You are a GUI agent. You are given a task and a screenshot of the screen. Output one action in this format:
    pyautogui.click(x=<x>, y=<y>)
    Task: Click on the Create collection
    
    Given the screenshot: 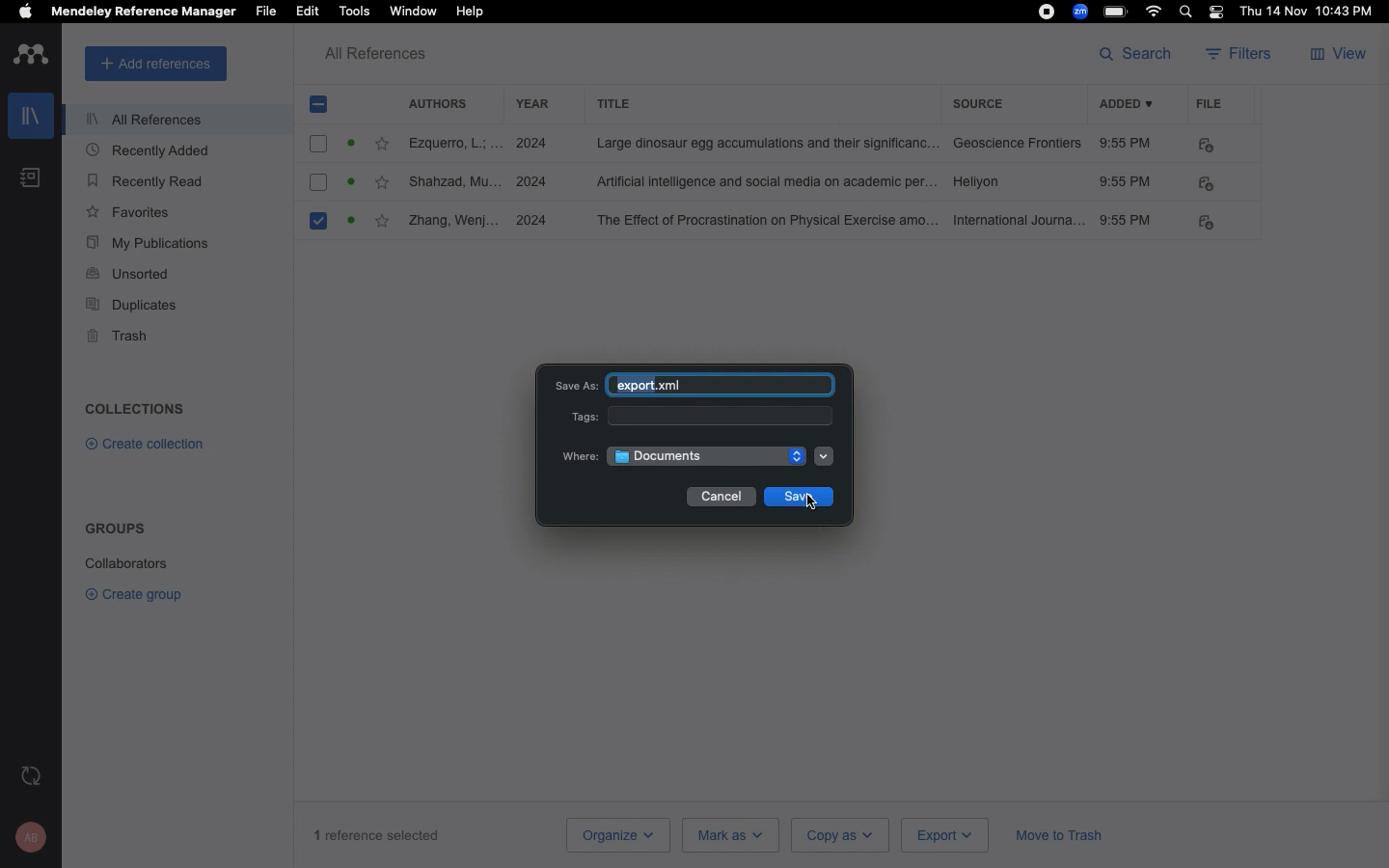 What is the action you would take?
    pyautogui.click(x=142, y=444)
    